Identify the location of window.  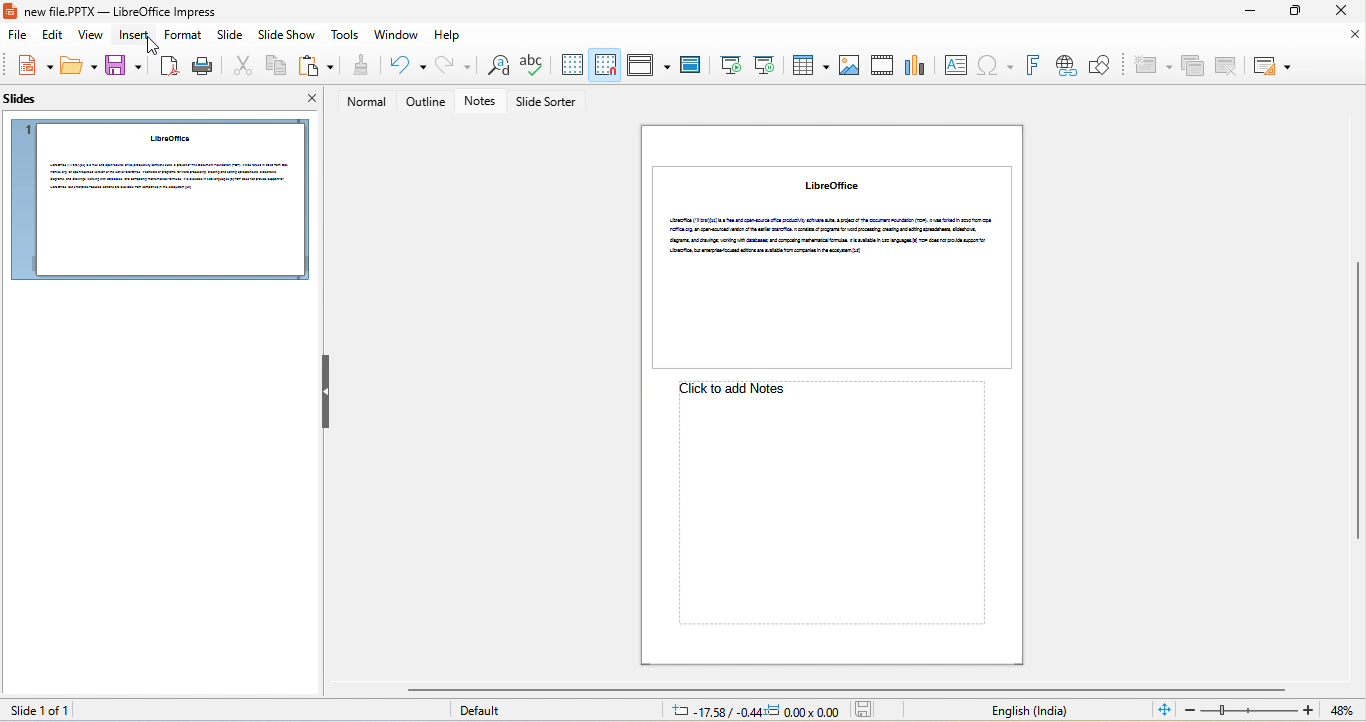
(397, 35).